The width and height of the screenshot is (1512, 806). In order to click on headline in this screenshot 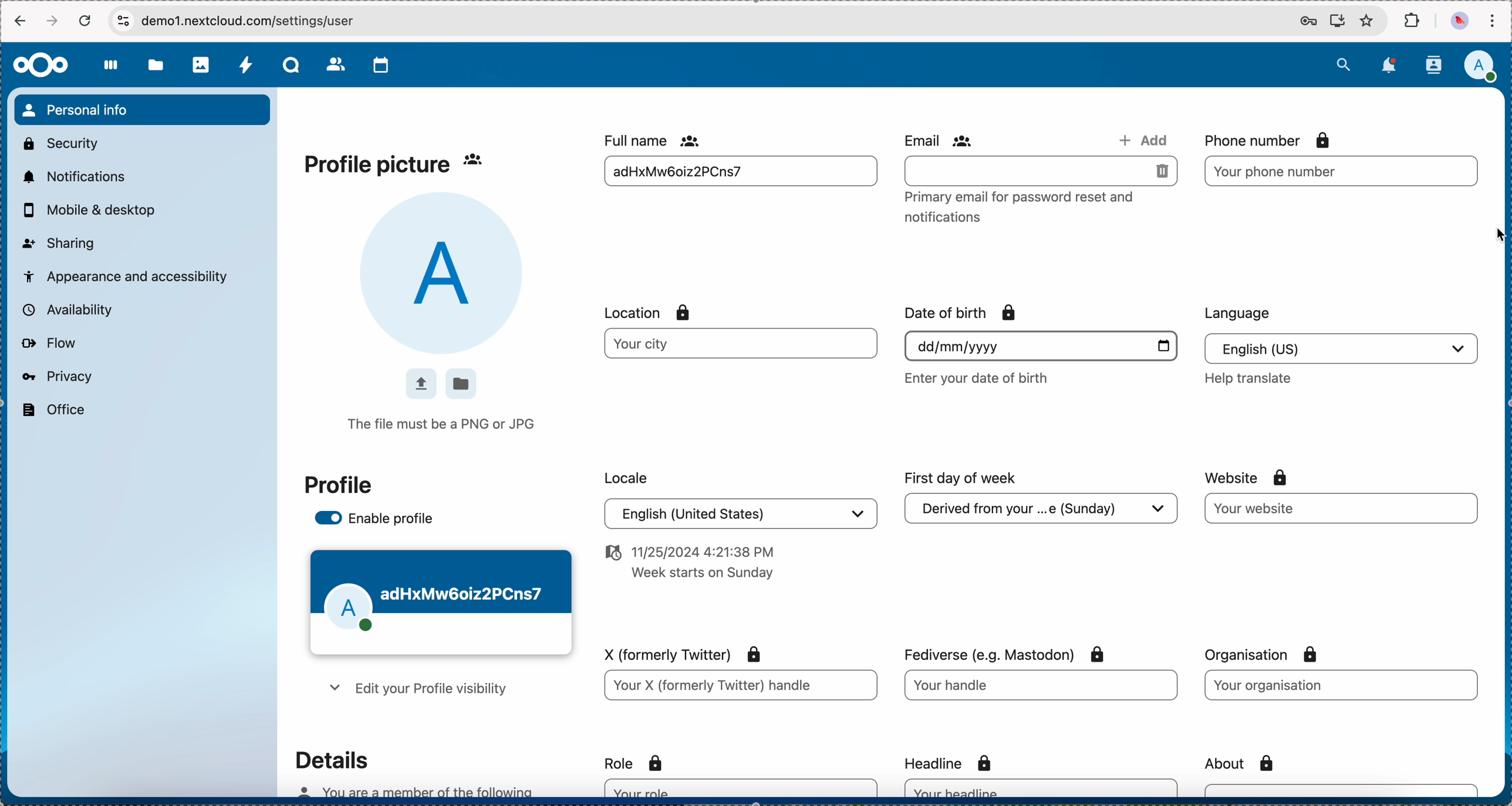, I will do `click(954, 761)`.